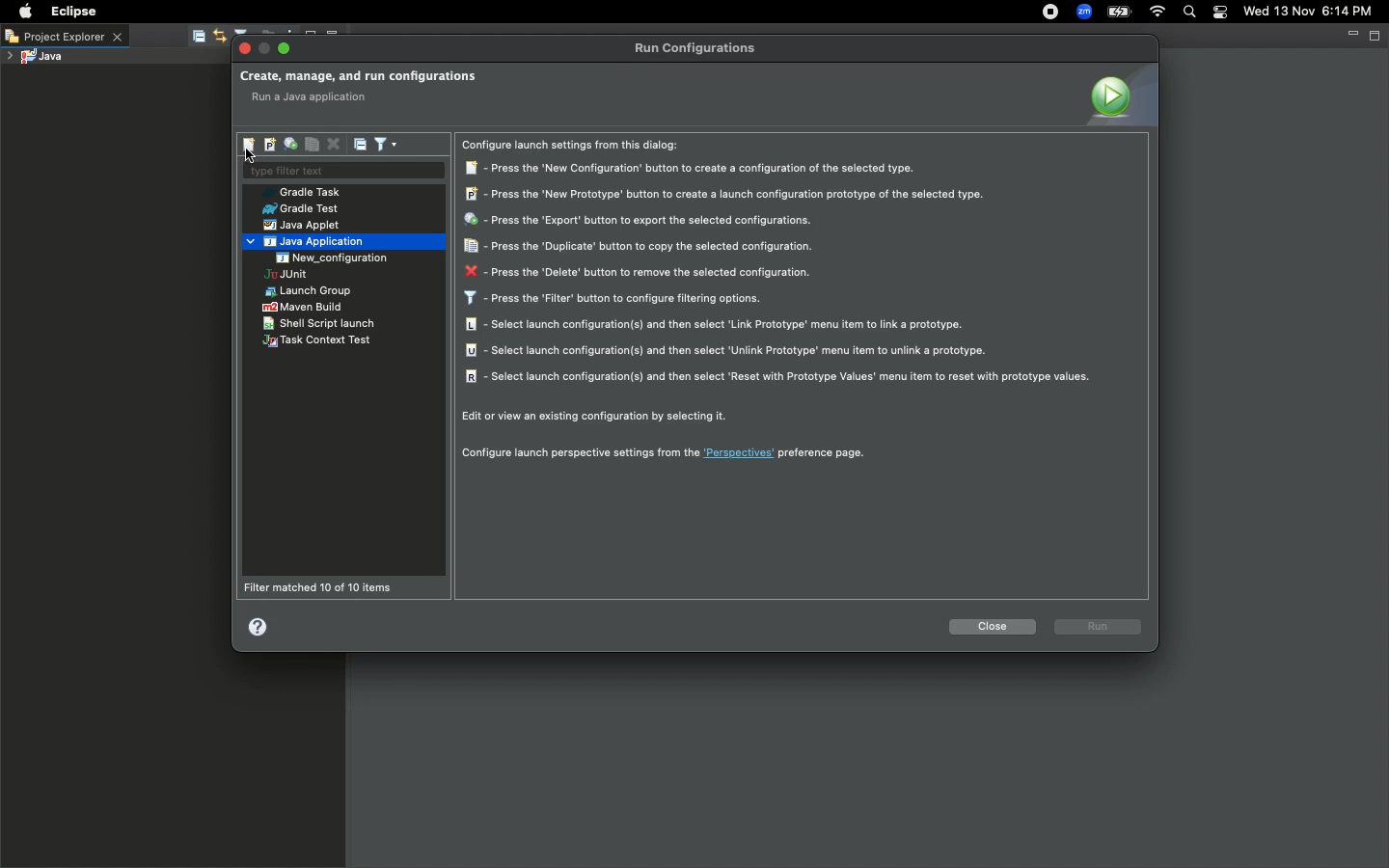  Describe the element at coordinates (286, 48) in the screenshot. I see `Maximize` at that location.